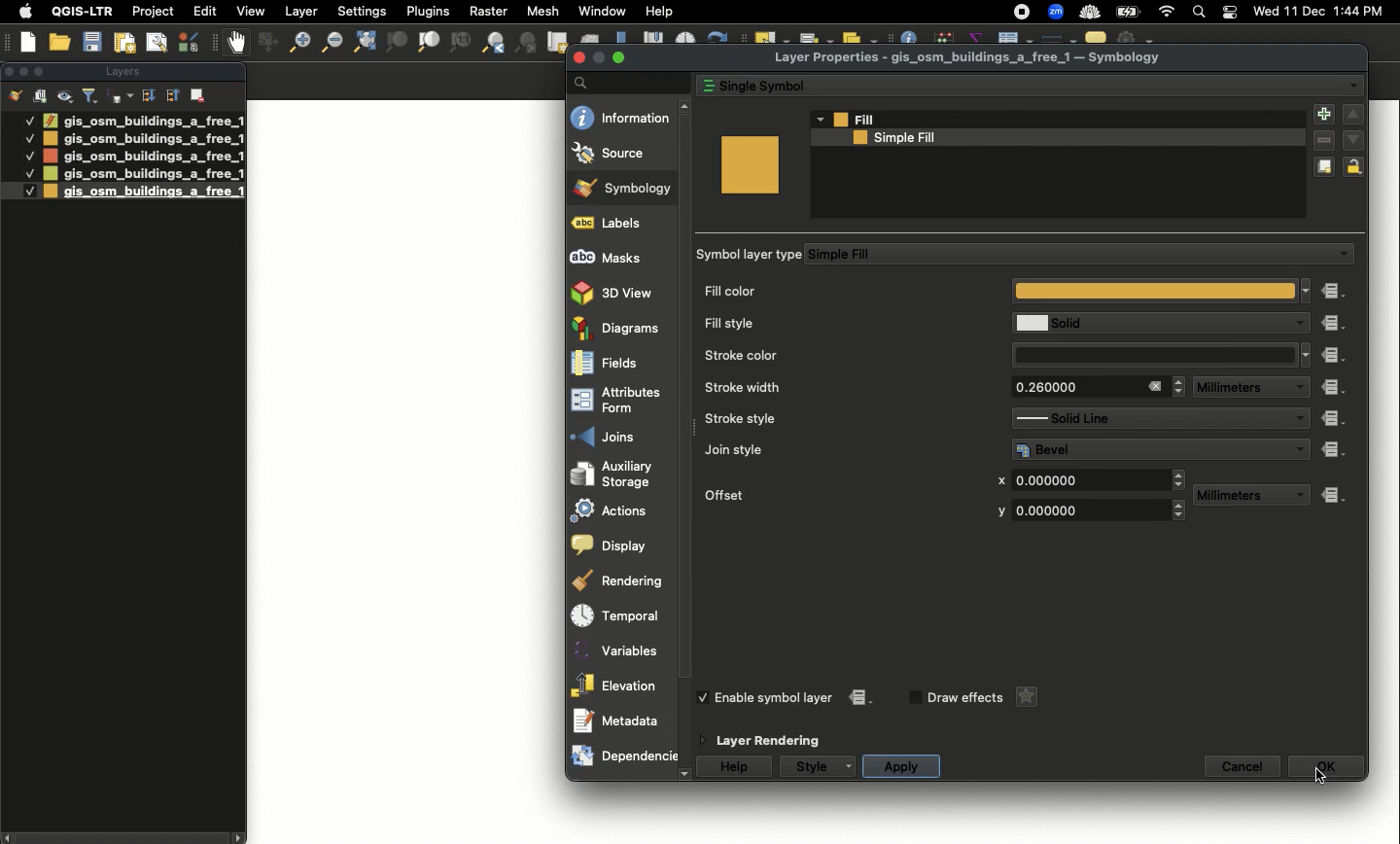  I want to click on Metadata, so click(616, 721).